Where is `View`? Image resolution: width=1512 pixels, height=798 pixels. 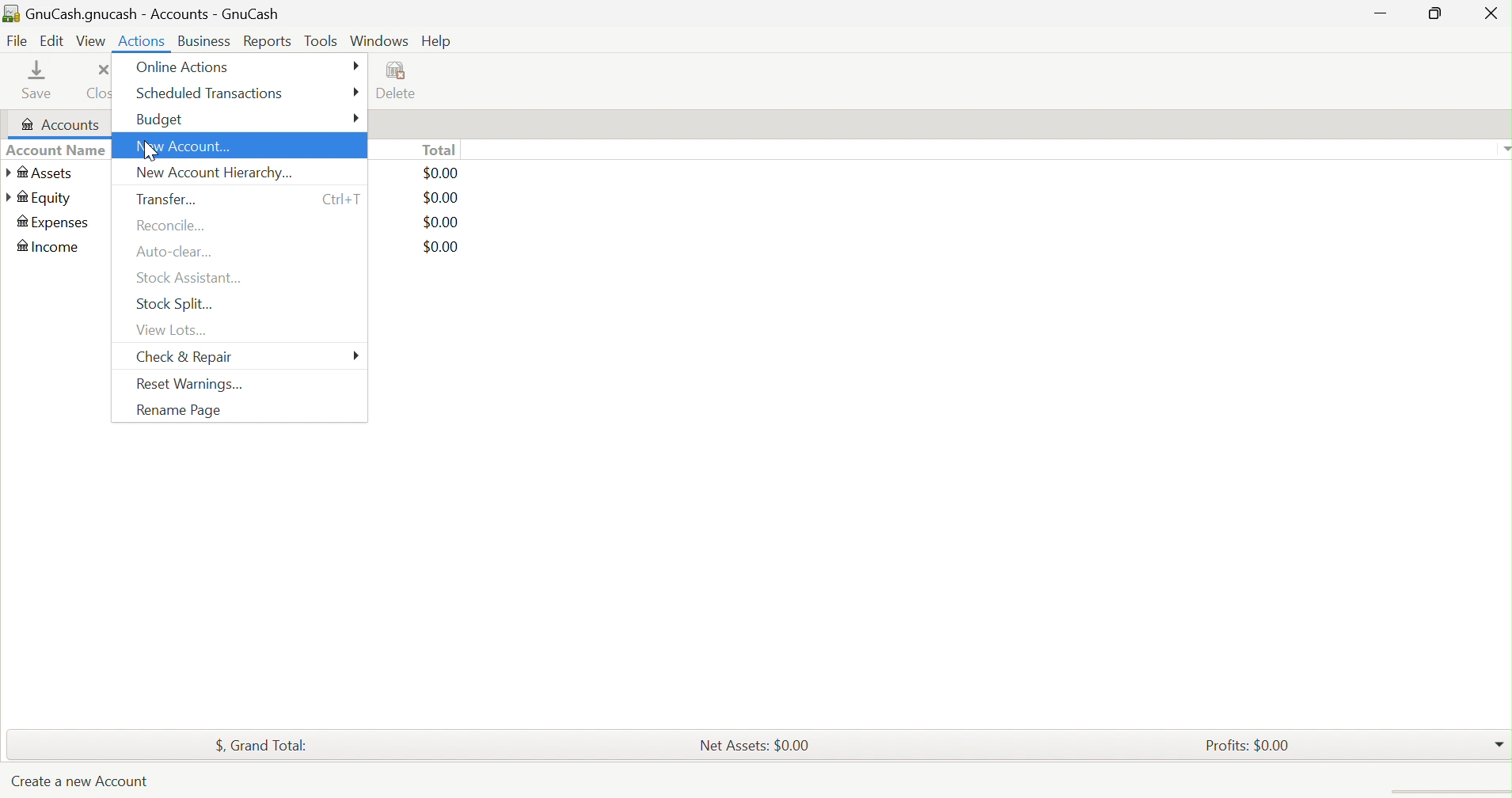 View is located at coordinates (91, 41).